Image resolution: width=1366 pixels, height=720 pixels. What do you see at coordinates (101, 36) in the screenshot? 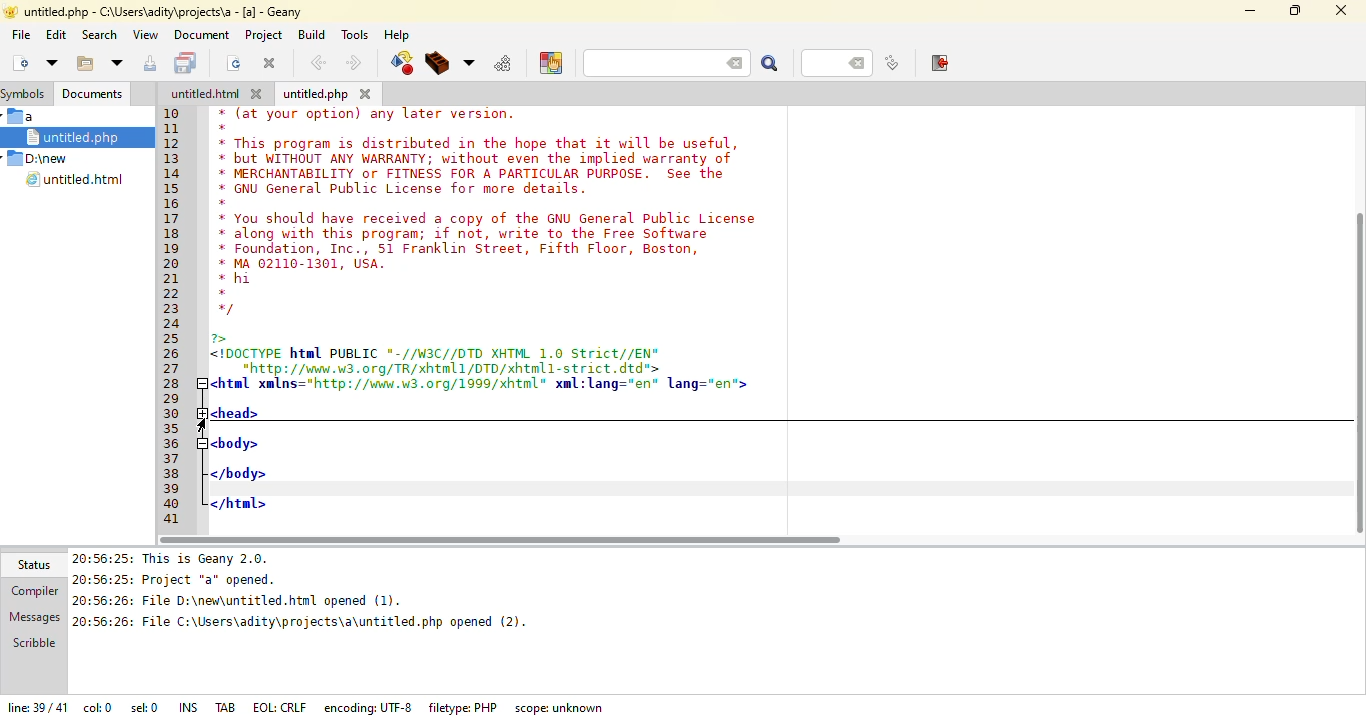
I see `search` at bounding box center [101, 36].